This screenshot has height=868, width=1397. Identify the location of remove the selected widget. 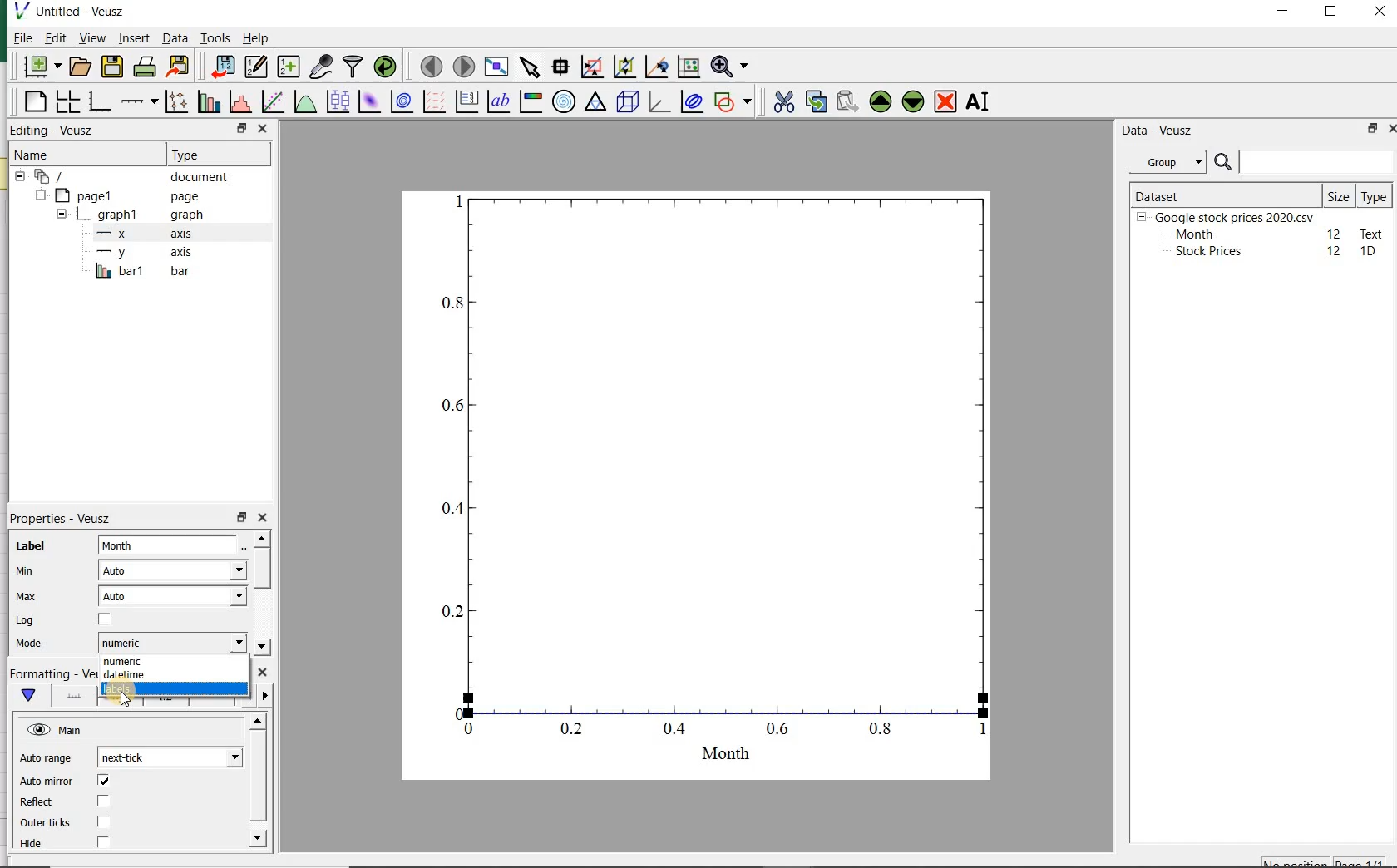
(946, 101).